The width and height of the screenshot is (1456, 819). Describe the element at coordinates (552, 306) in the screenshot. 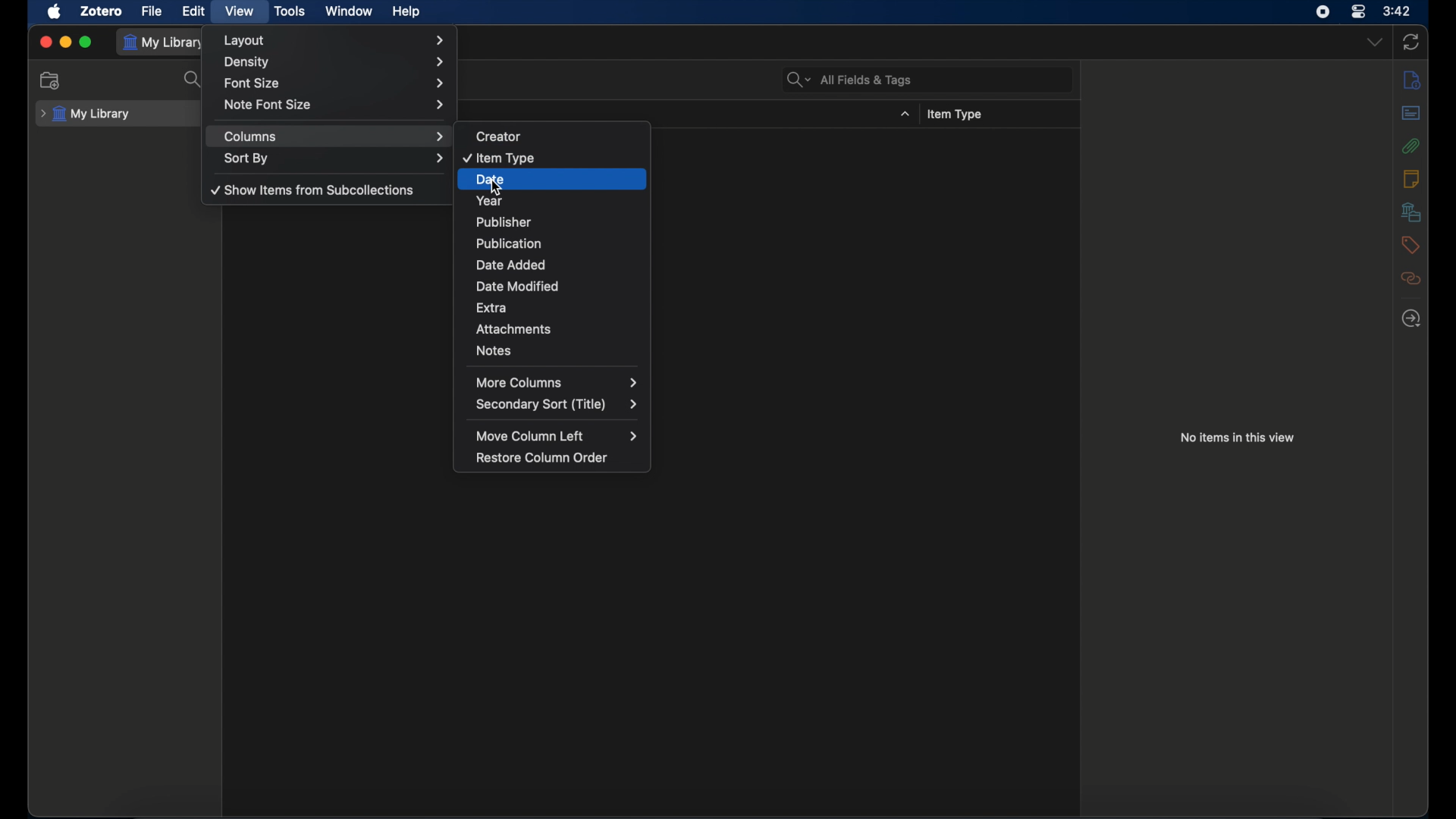

I see `extra` at that location.